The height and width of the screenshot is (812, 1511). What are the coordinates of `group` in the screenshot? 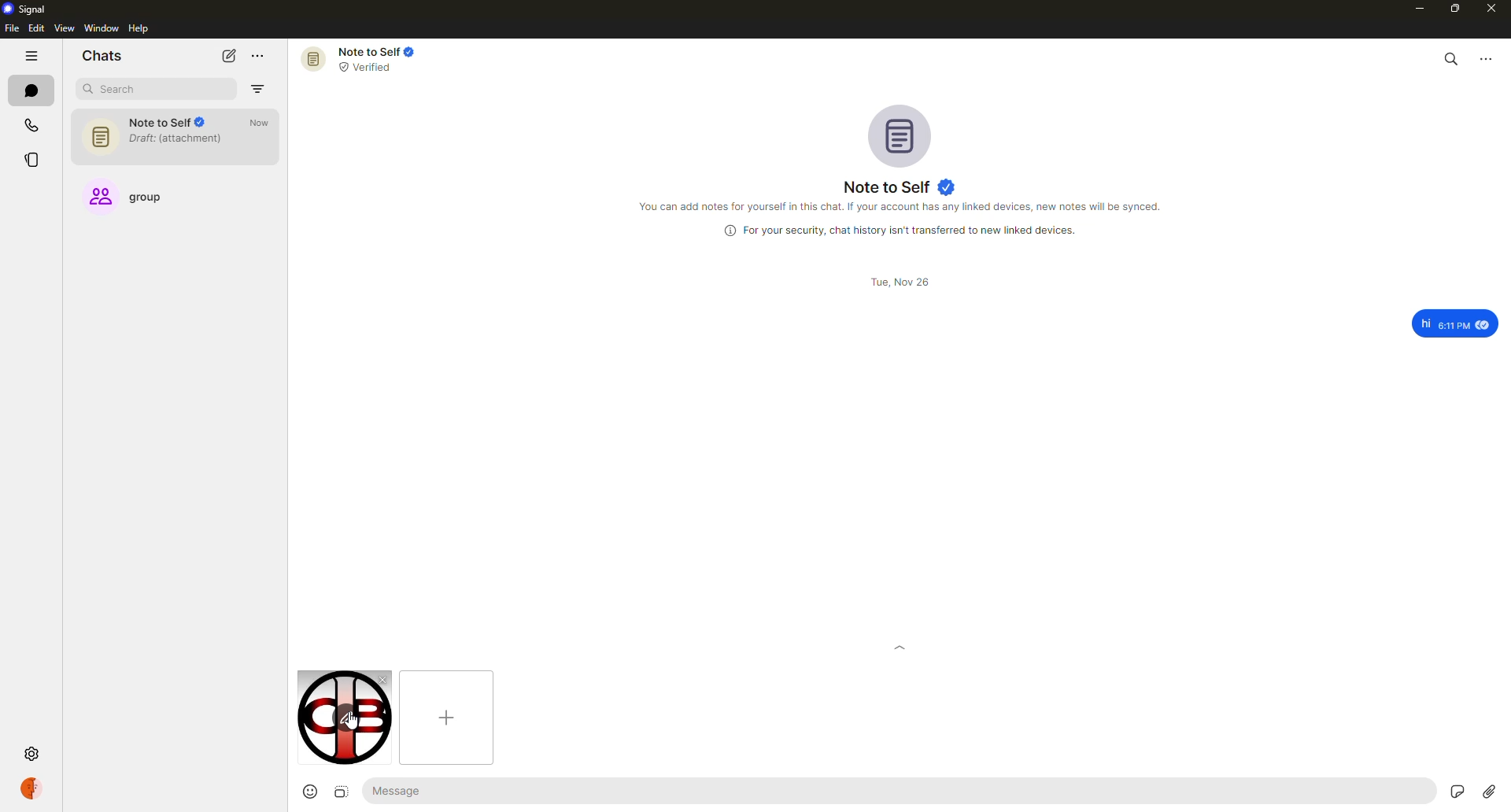 It's located at (131, 194).